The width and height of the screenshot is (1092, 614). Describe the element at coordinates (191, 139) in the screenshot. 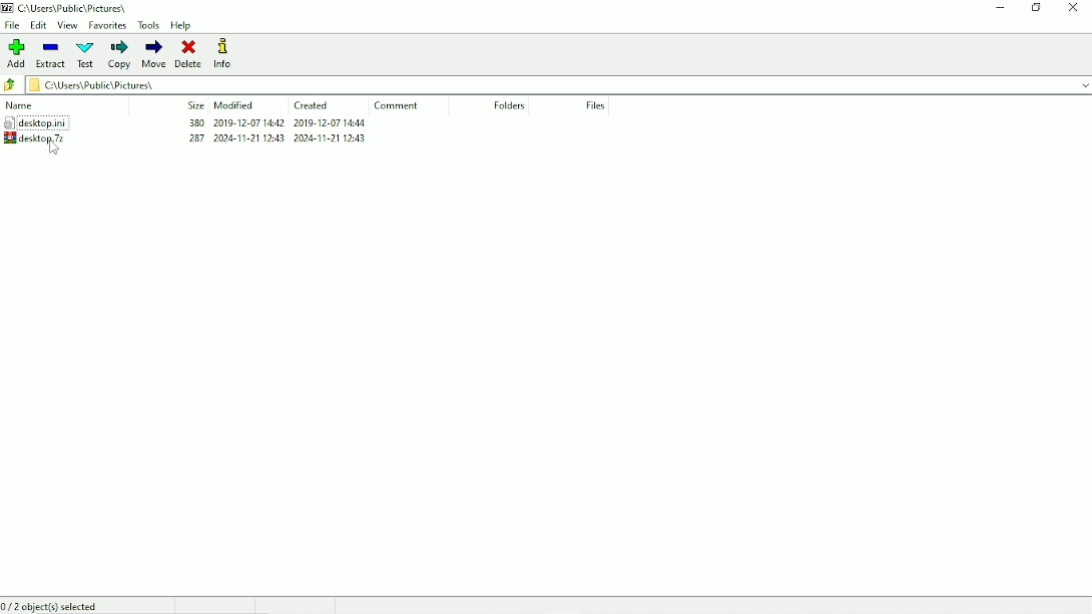

I see `283` at that location.